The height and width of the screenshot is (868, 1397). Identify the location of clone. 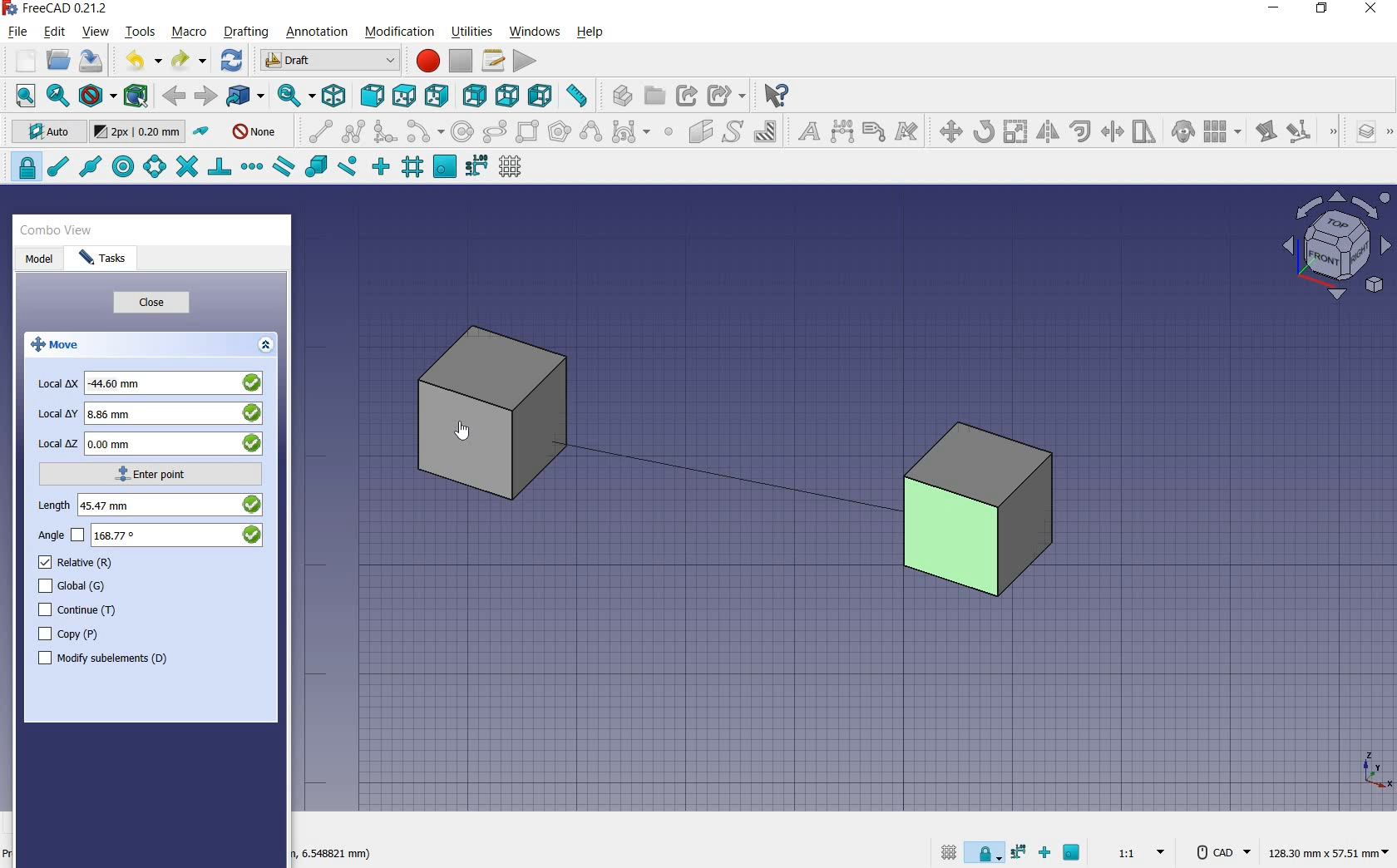
(1183, 132).